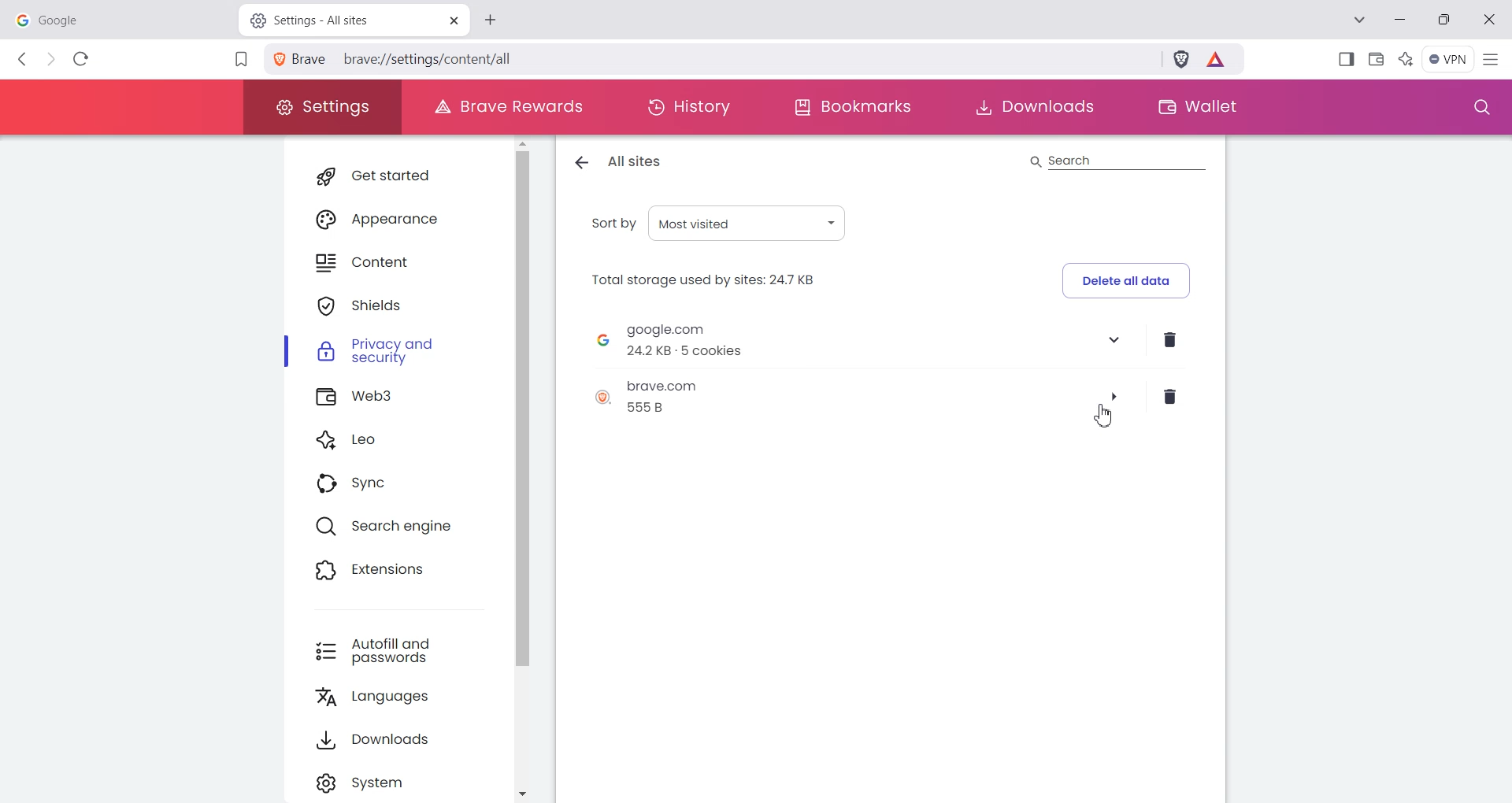 This screenshot has width=1512, height=803. What do you see at coordinates (390, 354) in the screenshot?
I see `Privacy and security` at bounding box center [390, 354].